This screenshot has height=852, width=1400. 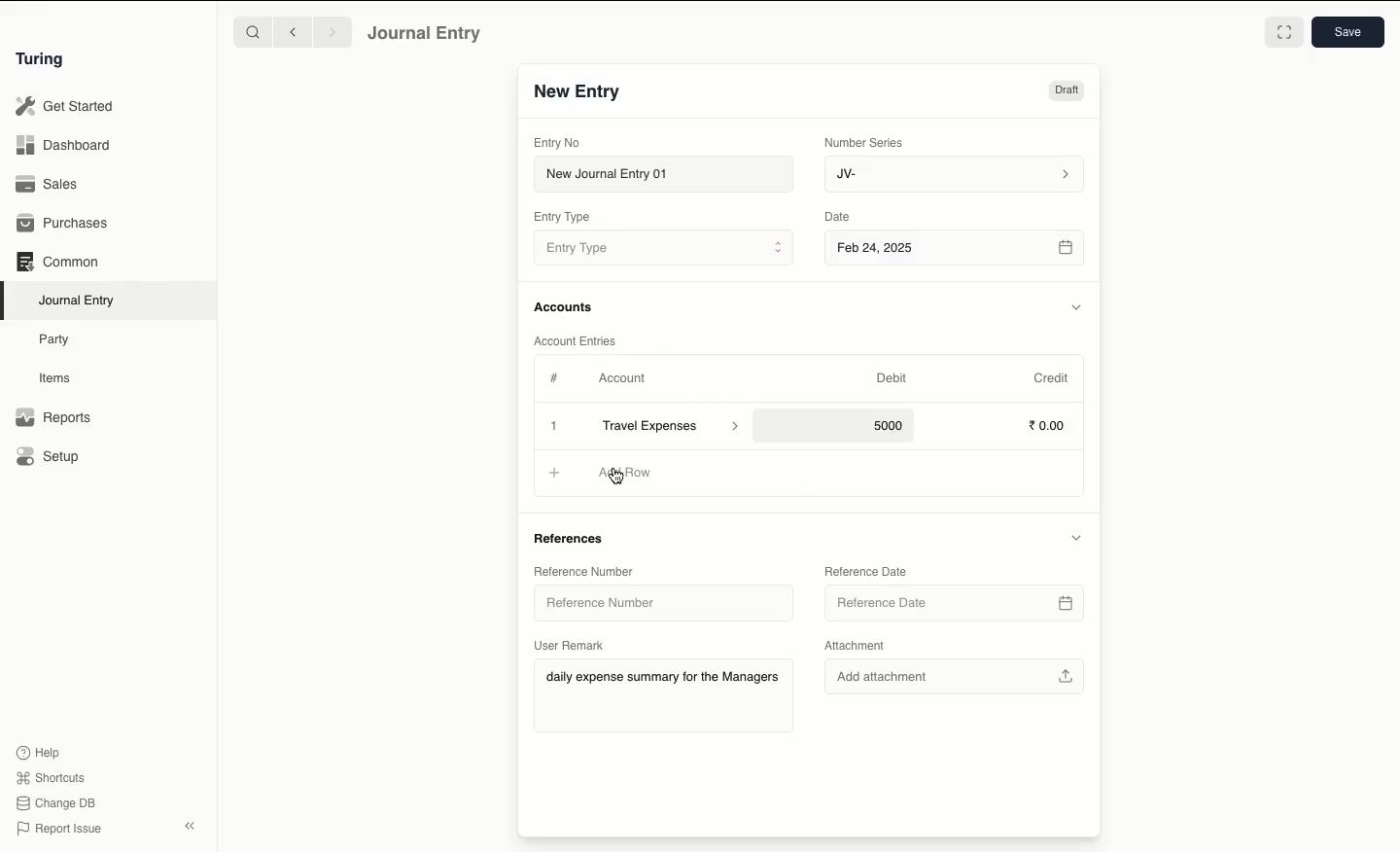 What do you see at coordinates (555, 426) in the screenshot?
I see `Add` at bounding box center [555, 426].